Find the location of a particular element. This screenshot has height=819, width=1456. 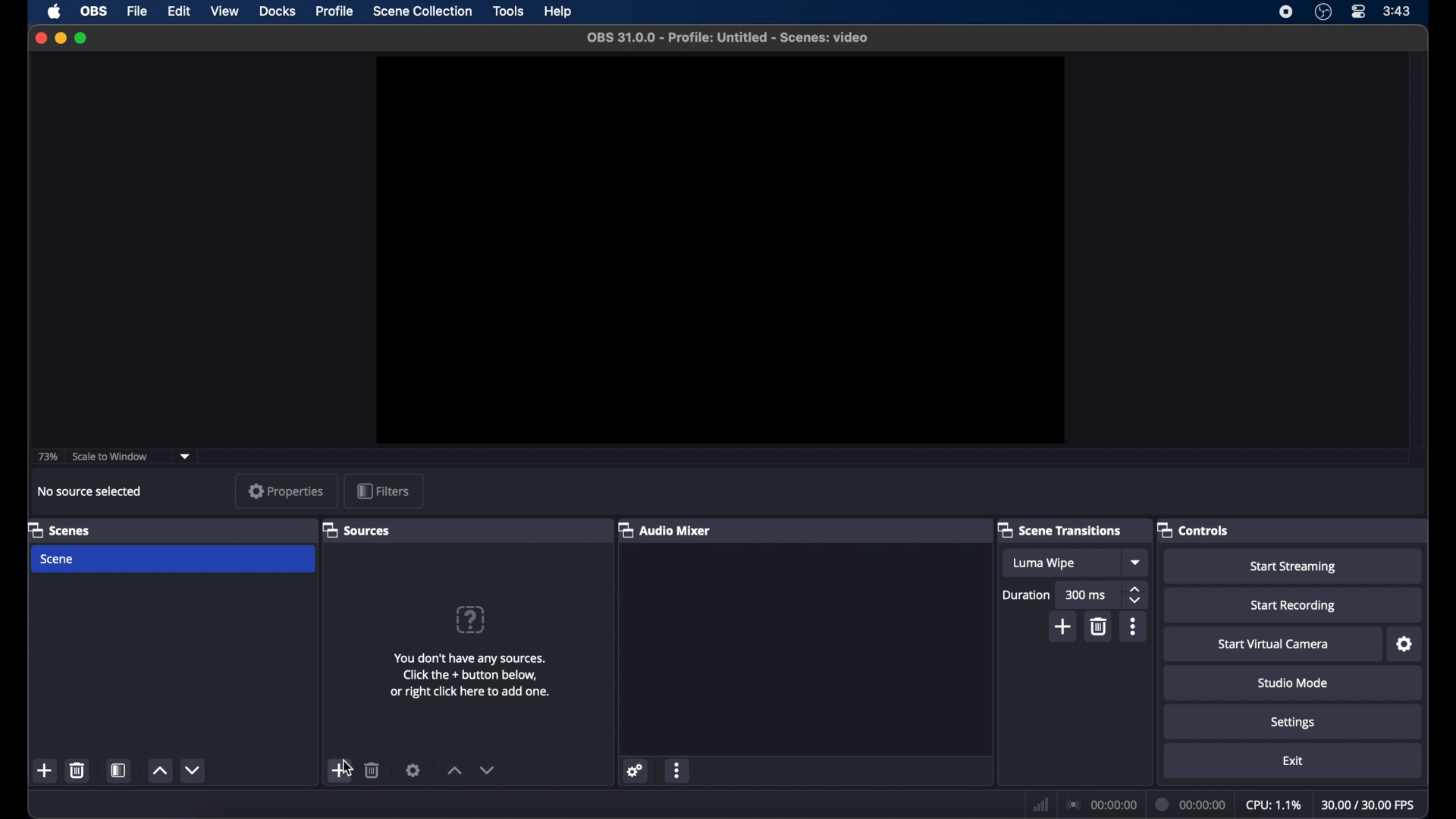

profile is located at coordinates (335, 12).